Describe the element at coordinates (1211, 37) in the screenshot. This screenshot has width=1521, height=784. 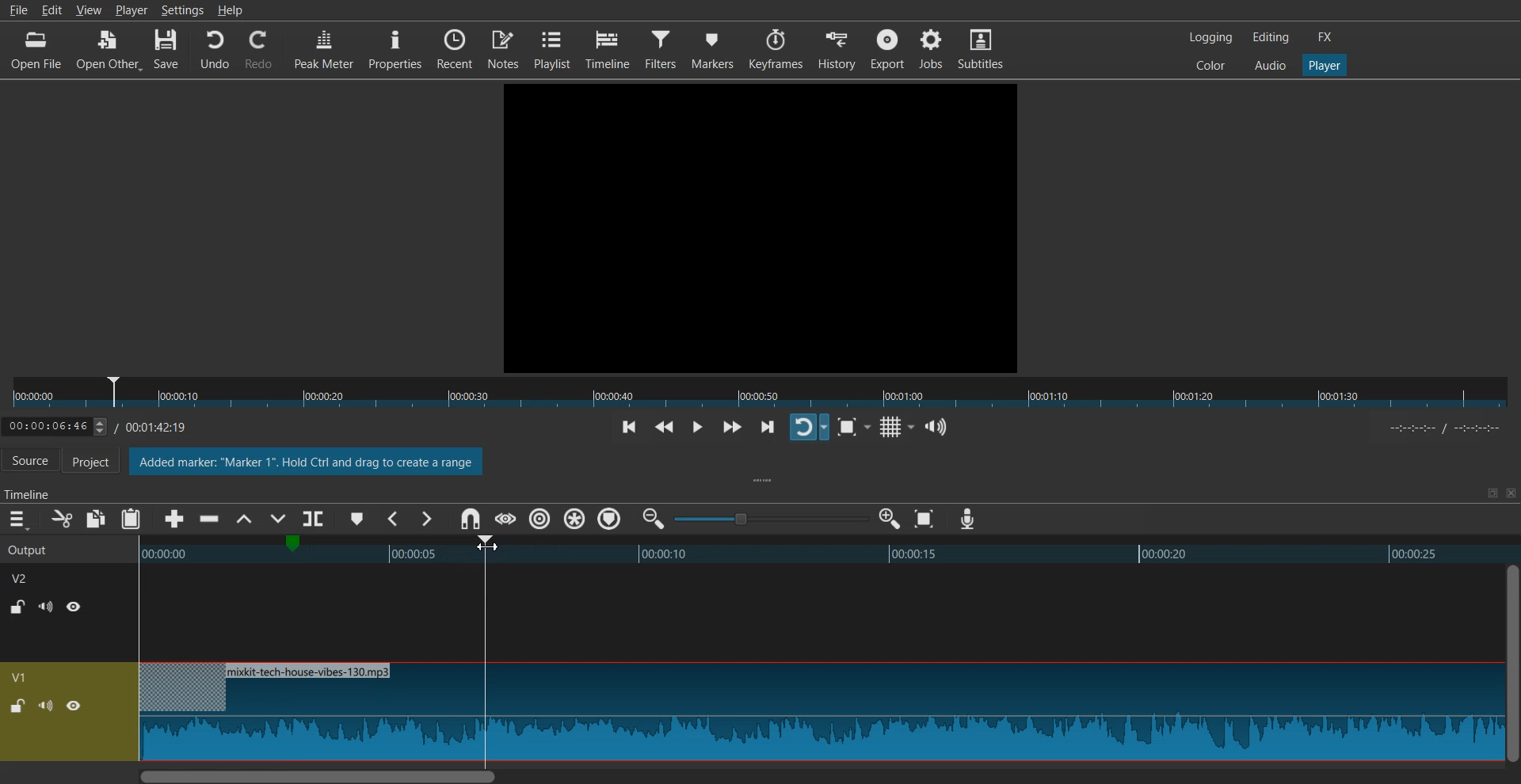
I see `Logging` at that location.